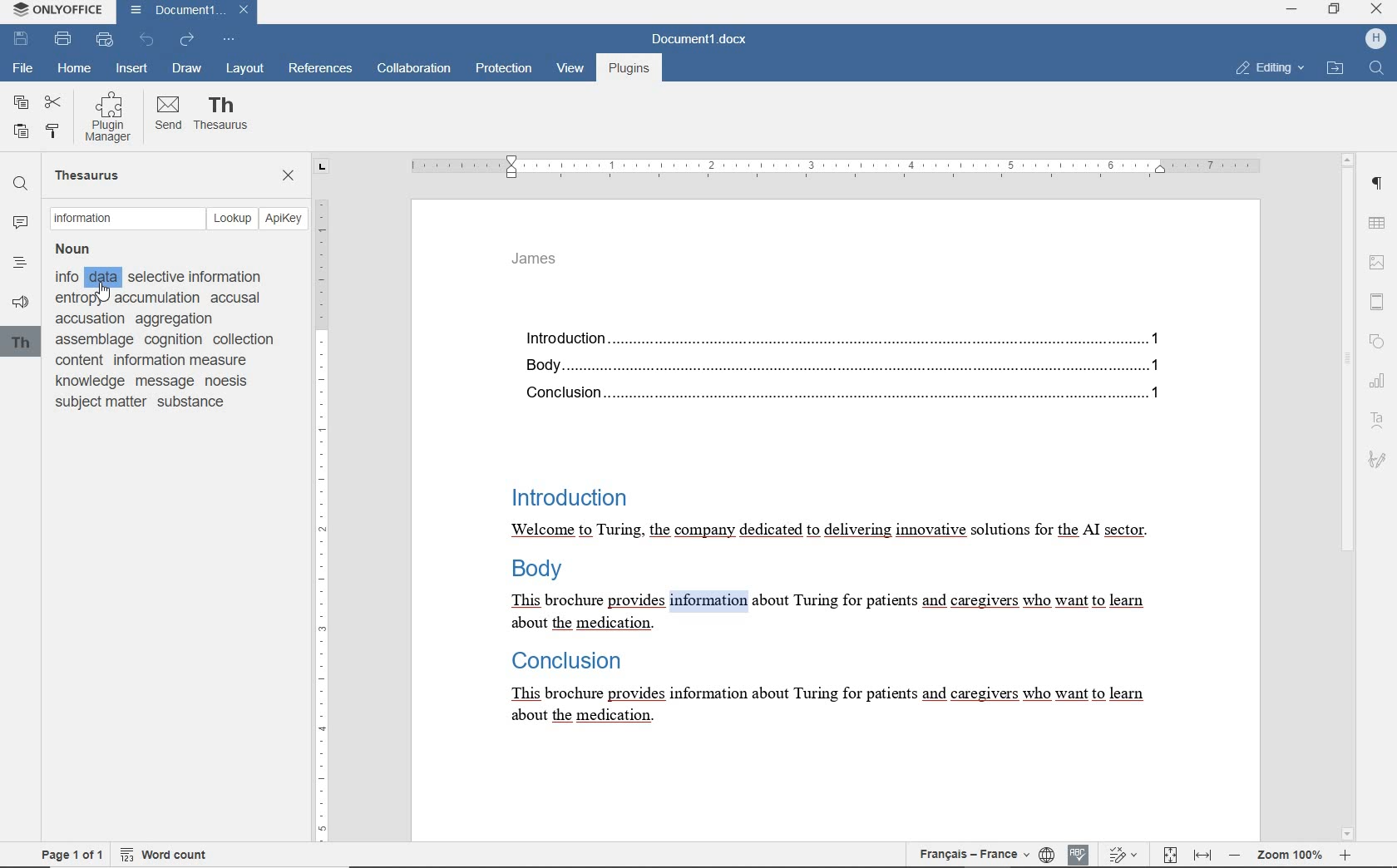 The image size is (1397, 868). I want to click on SAVE, so click(22, 39).